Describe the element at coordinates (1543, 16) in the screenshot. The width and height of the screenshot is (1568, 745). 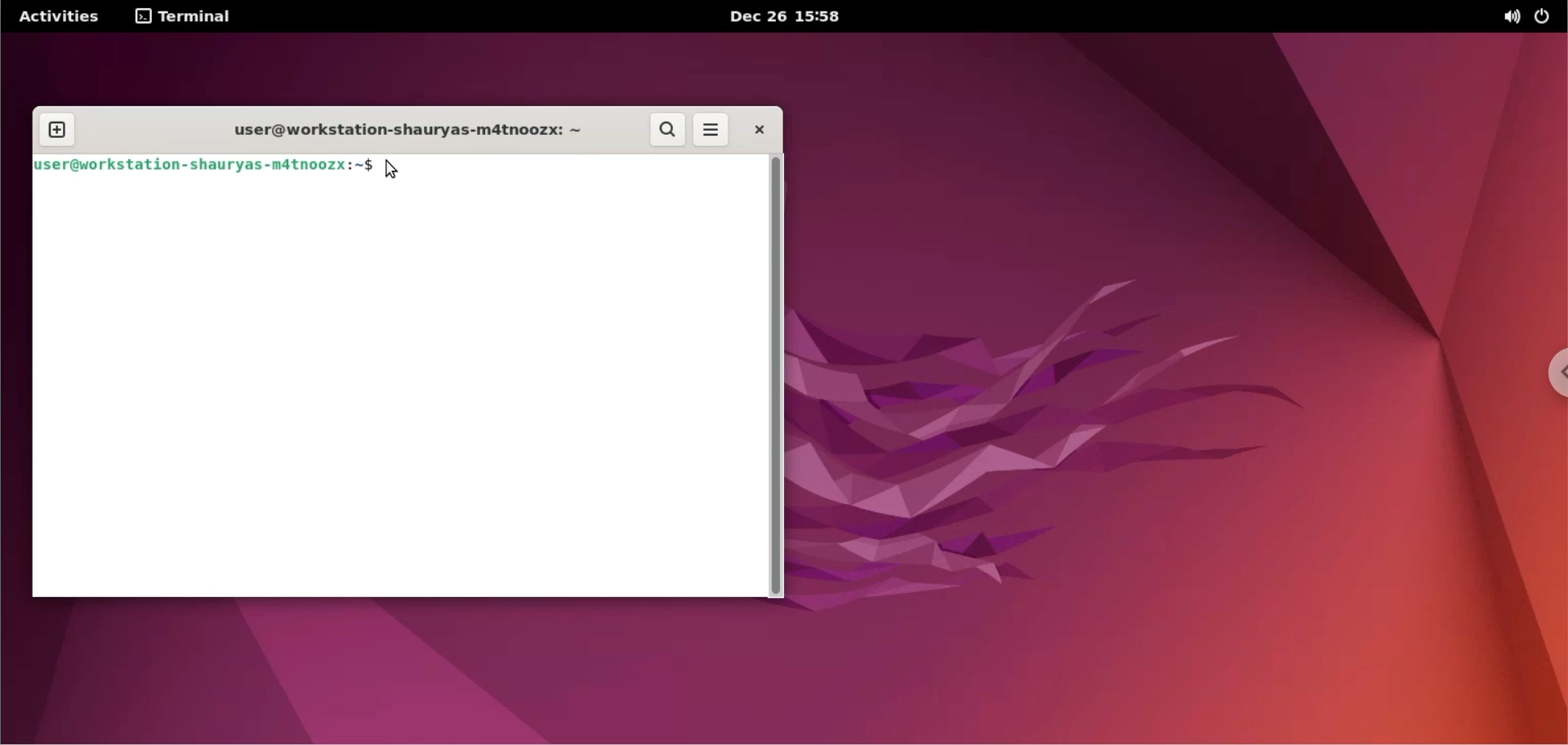
I see `power options` at that location.